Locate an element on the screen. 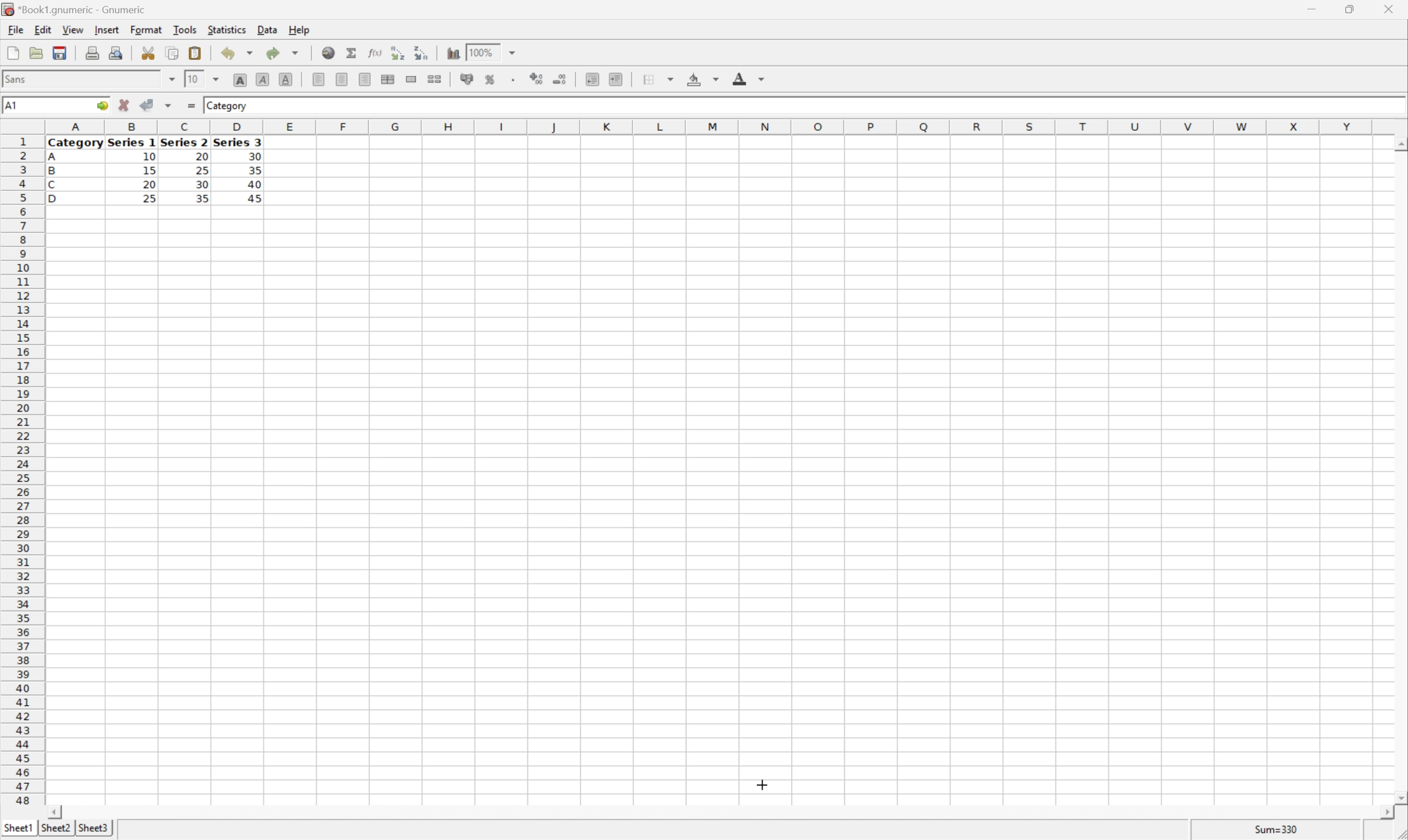  Restore Down is located at coordinates (1344, 9).